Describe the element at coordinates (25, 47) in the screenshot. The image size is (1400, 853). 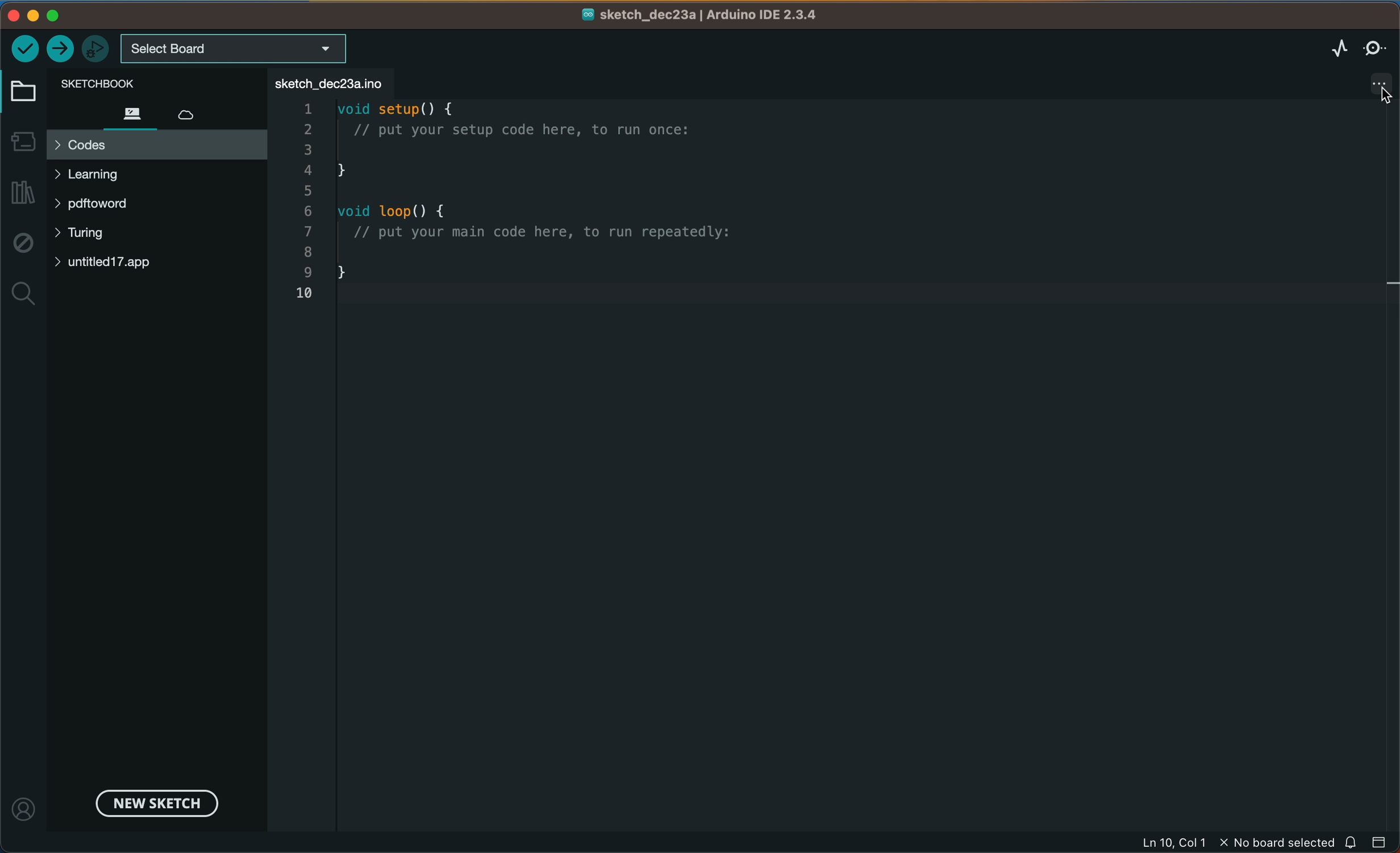
I see `verify` at that location.